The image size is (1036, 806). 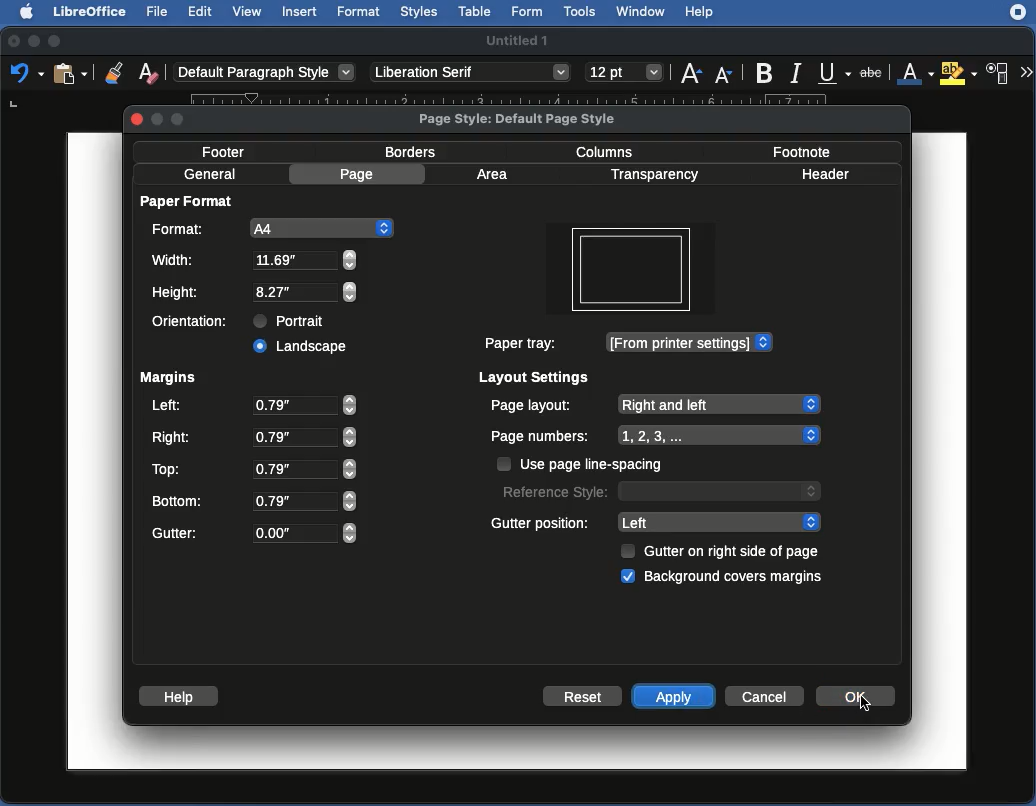 What do you see at coordinates (306, 292) in the screenshot?
I see `11.69` at bounding box center [306, 292].